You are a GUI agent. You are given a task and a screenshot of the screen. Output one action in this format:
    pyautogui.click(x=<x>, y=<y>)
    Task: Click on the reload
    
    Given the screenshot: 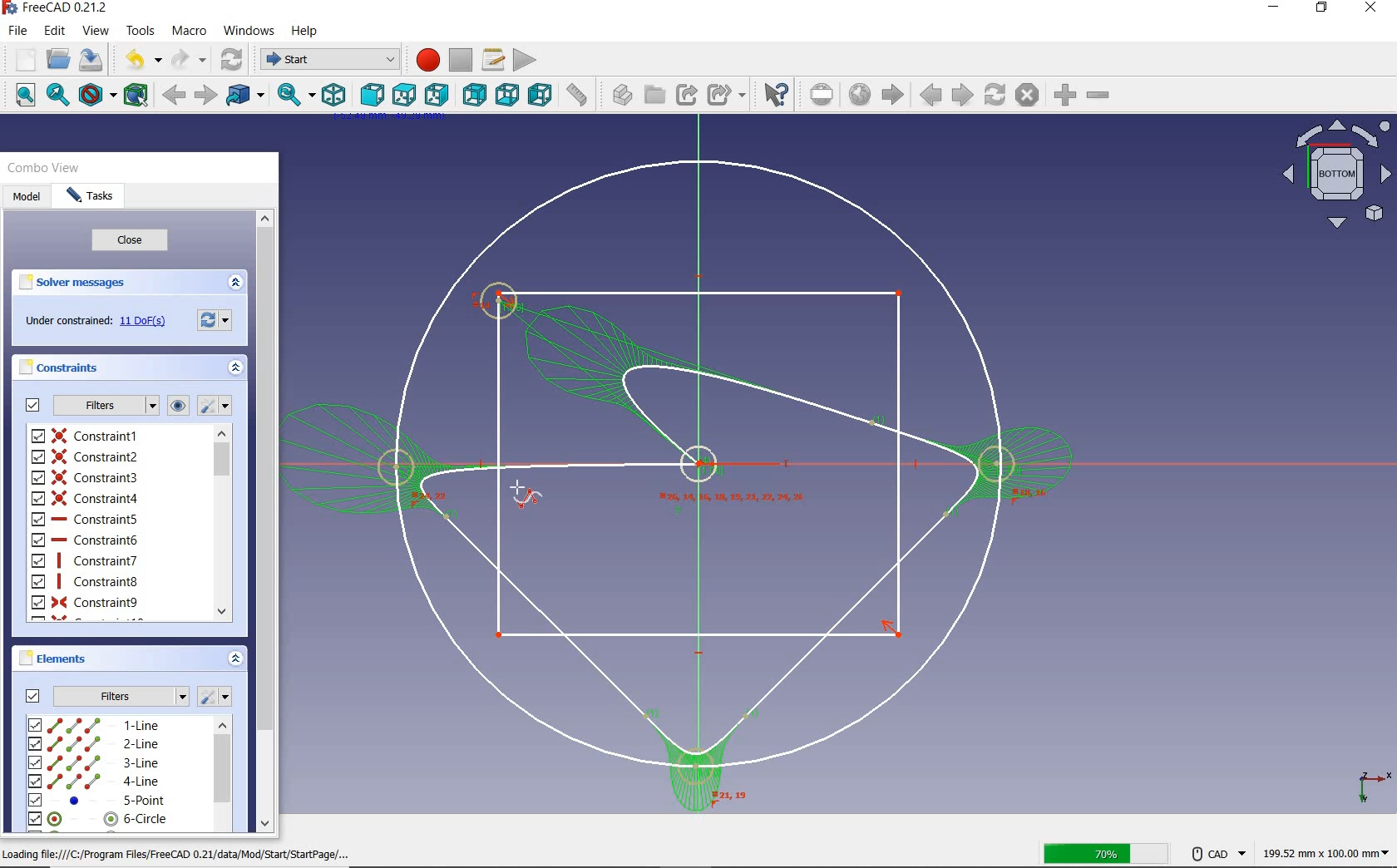 What is the action you would take?
    pyautogui.click(x=214, y=318)
    